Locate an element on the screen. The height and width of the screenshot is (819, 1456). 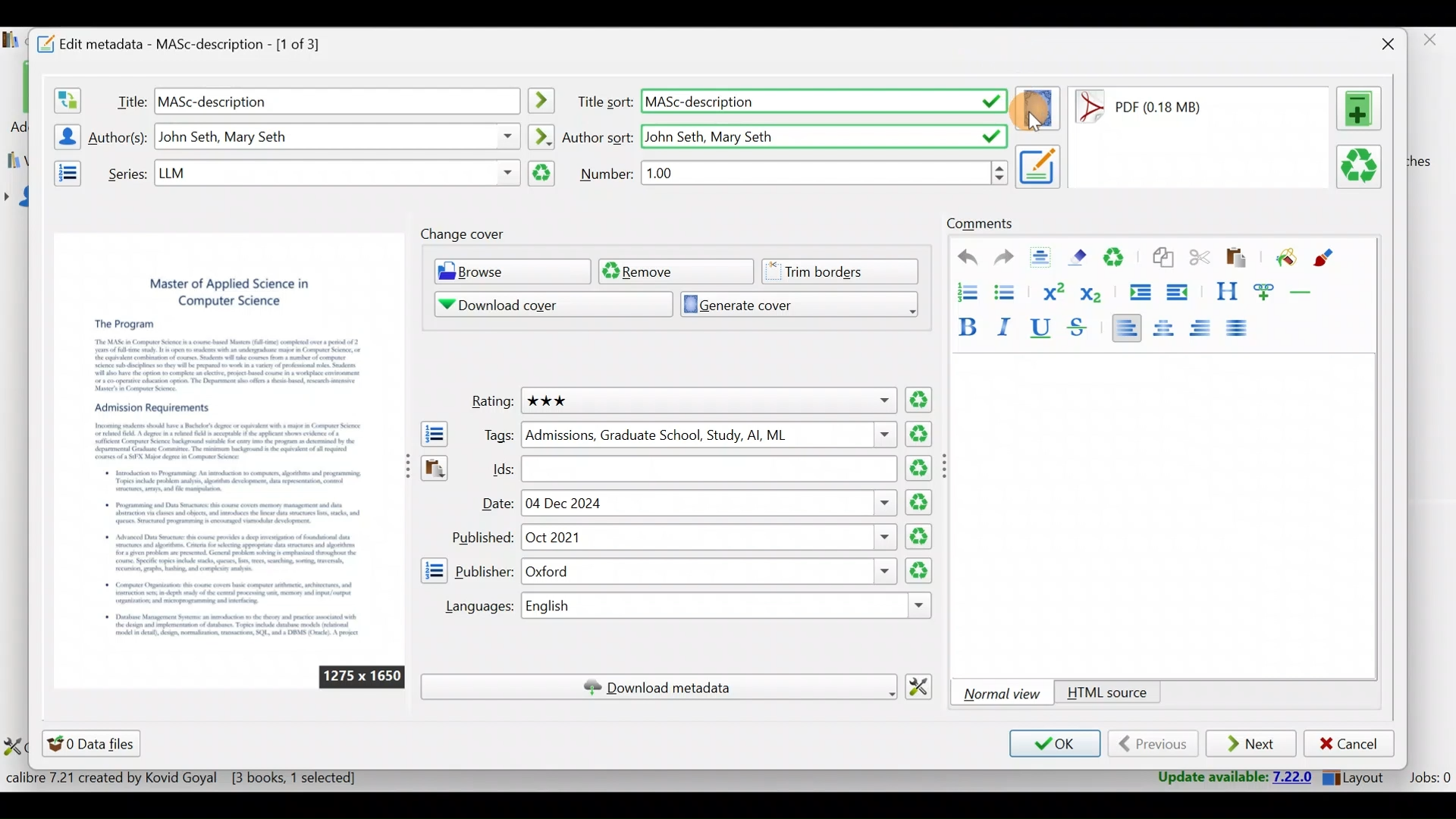
Remove is located at coordinates (674, 271).